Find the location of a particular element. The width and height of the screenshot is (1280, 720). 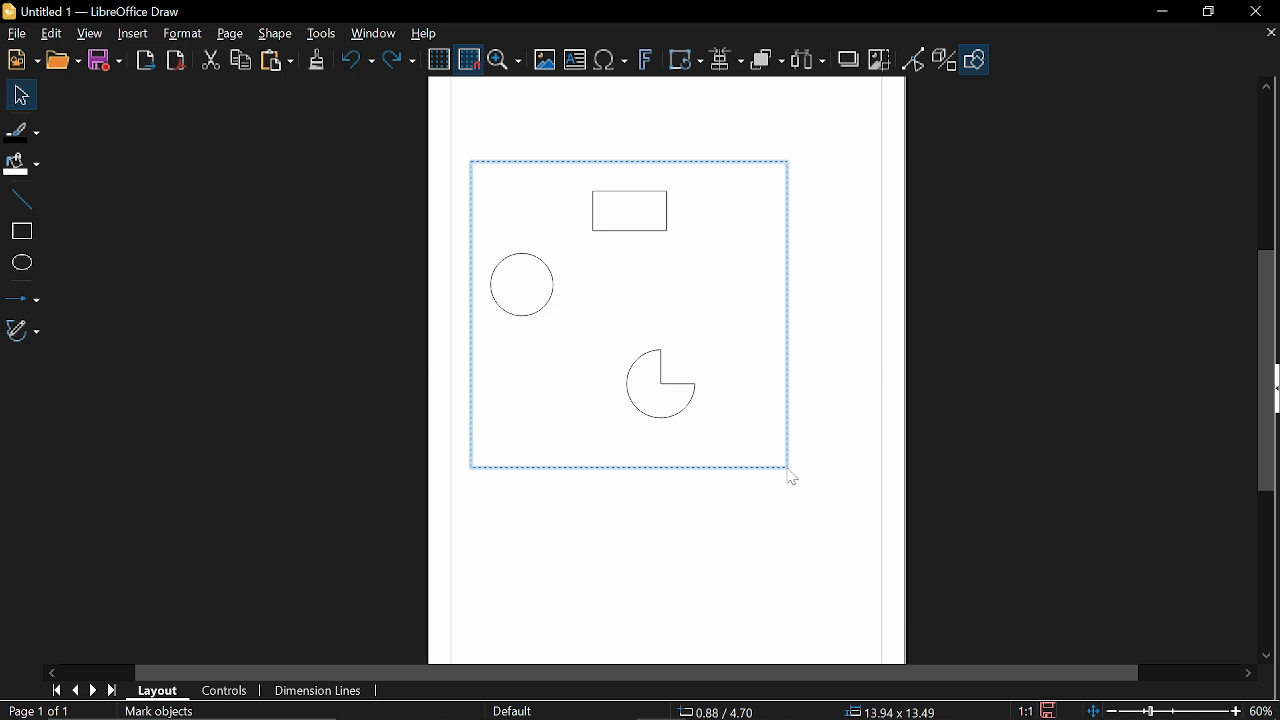

COntrols is located at coordinates (223, 691).